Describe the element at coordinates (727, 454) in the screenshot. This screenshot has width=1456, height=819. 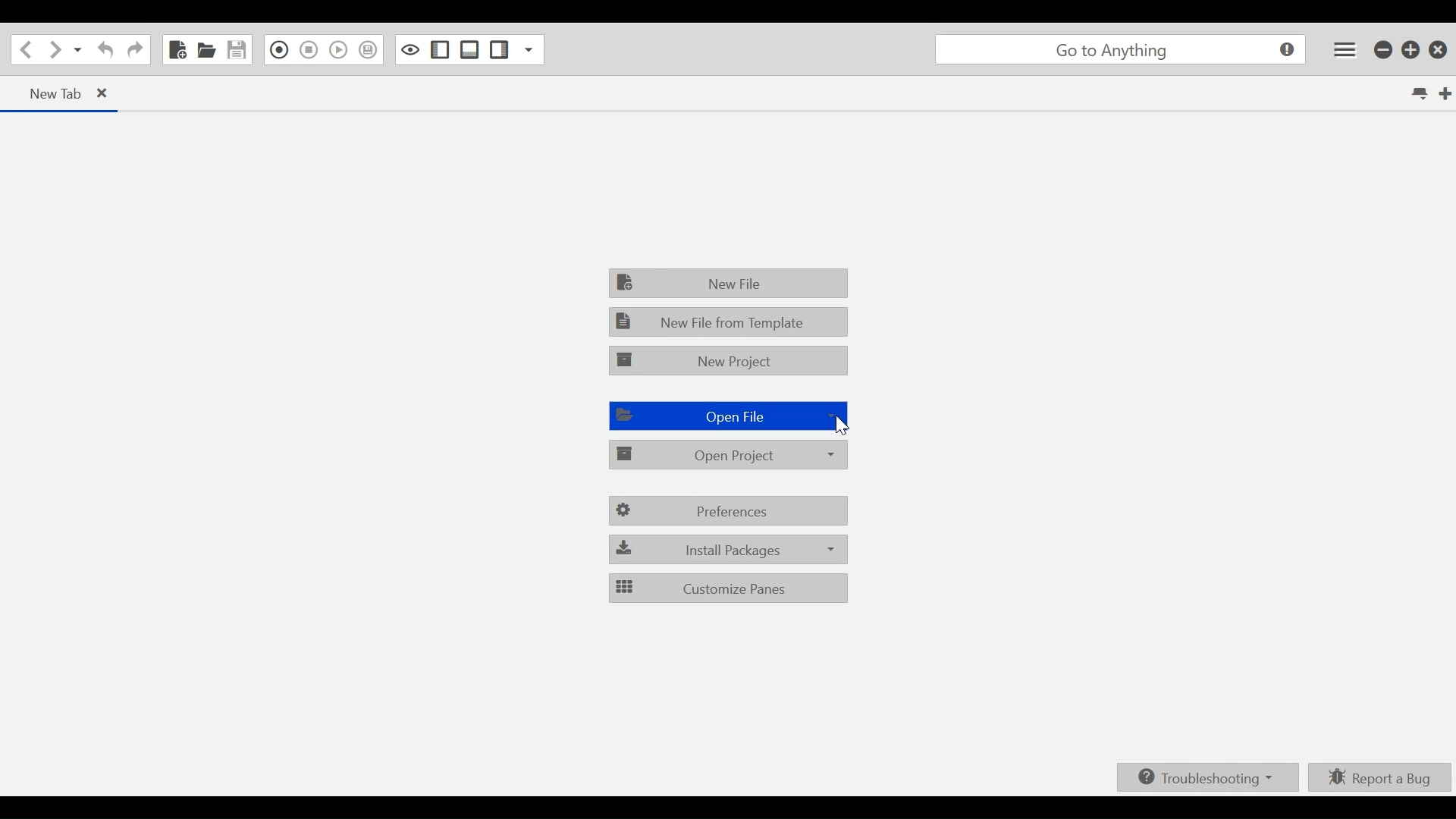
I see `Open Project` at that location.